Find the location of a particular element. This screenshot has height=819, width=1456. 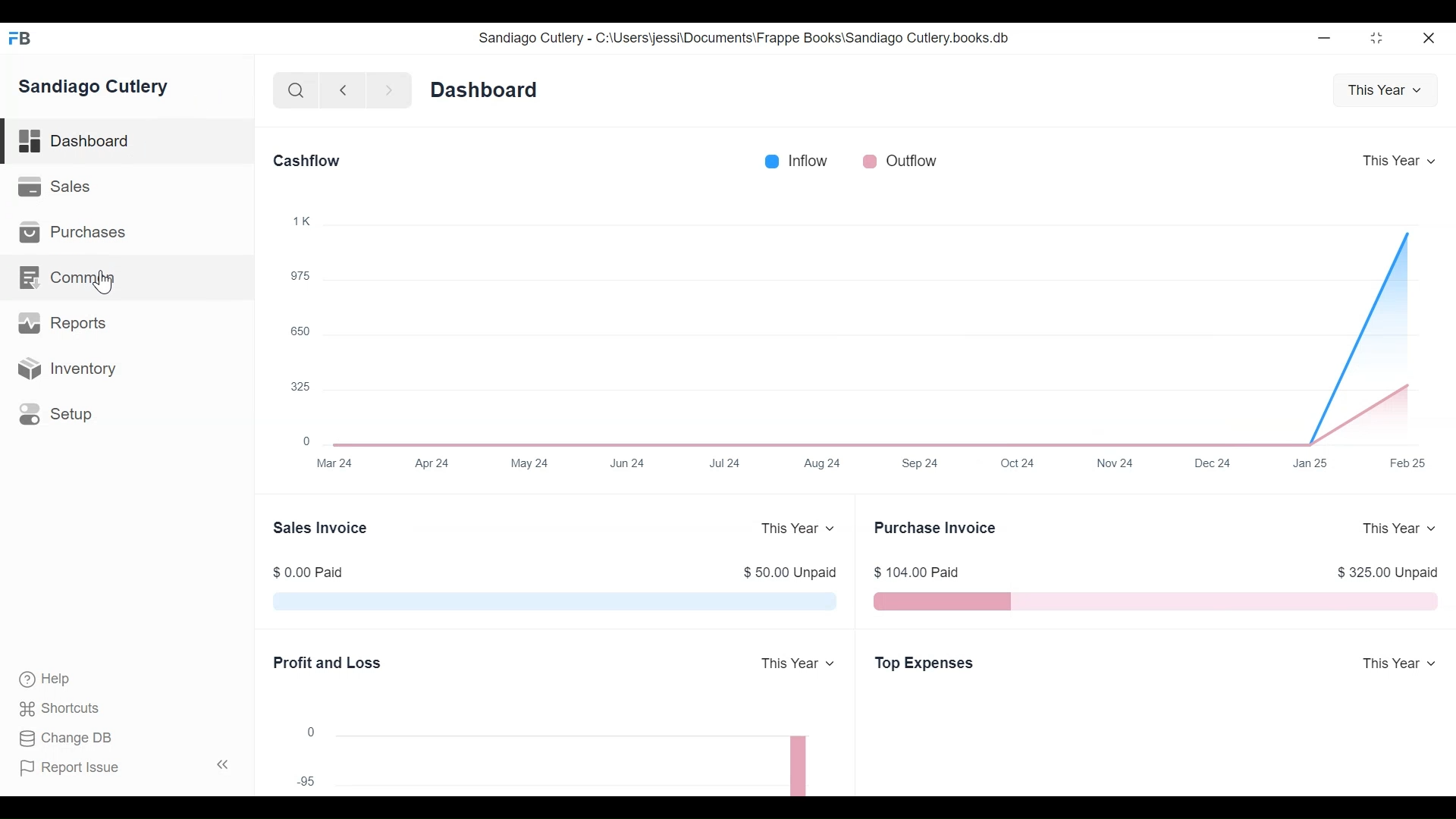

Jan 25 is located at coordinates (1306, 464).